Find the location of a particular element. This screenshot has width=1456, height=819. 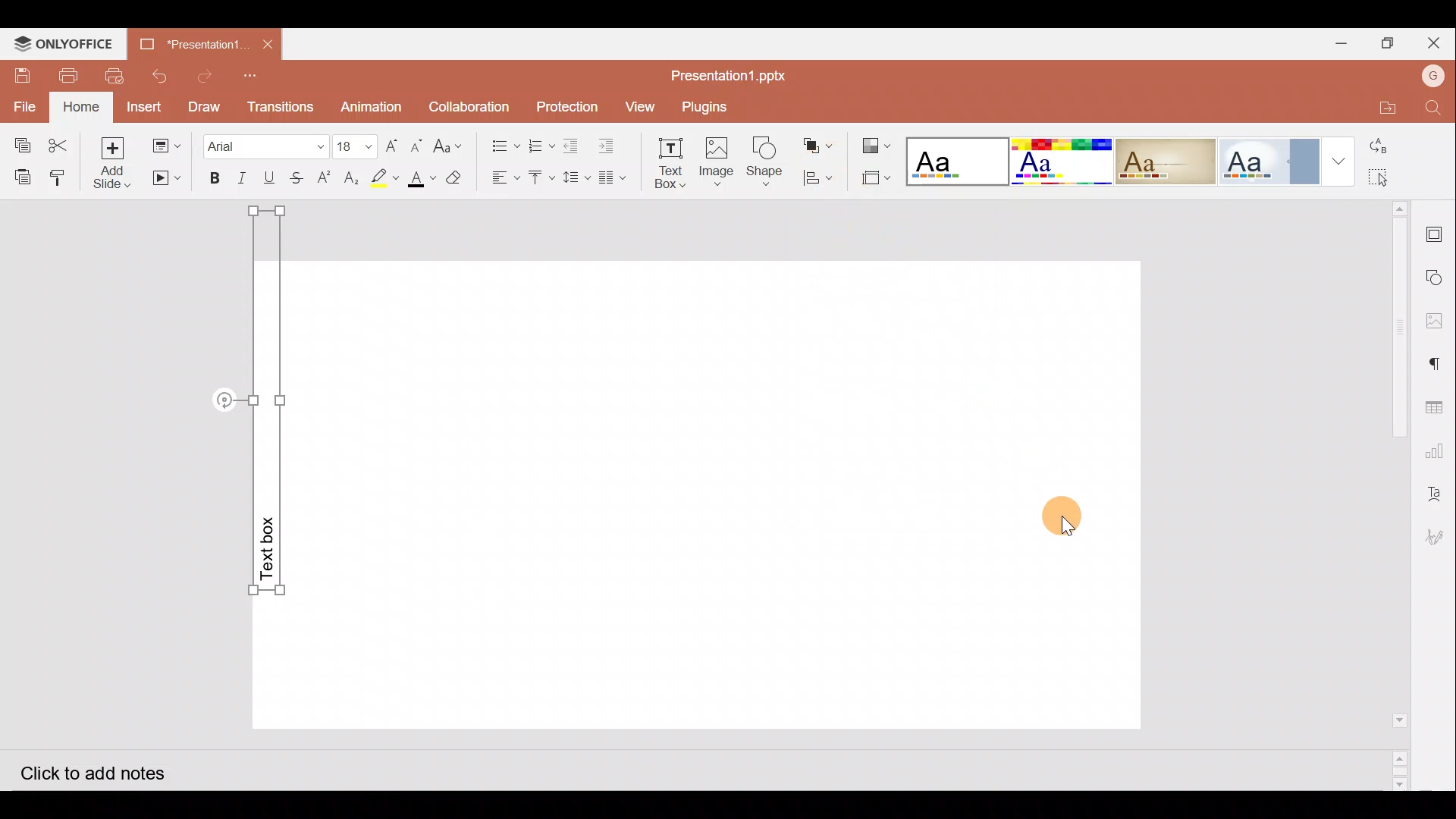

Image settings is located at coordinates (1439, 321).